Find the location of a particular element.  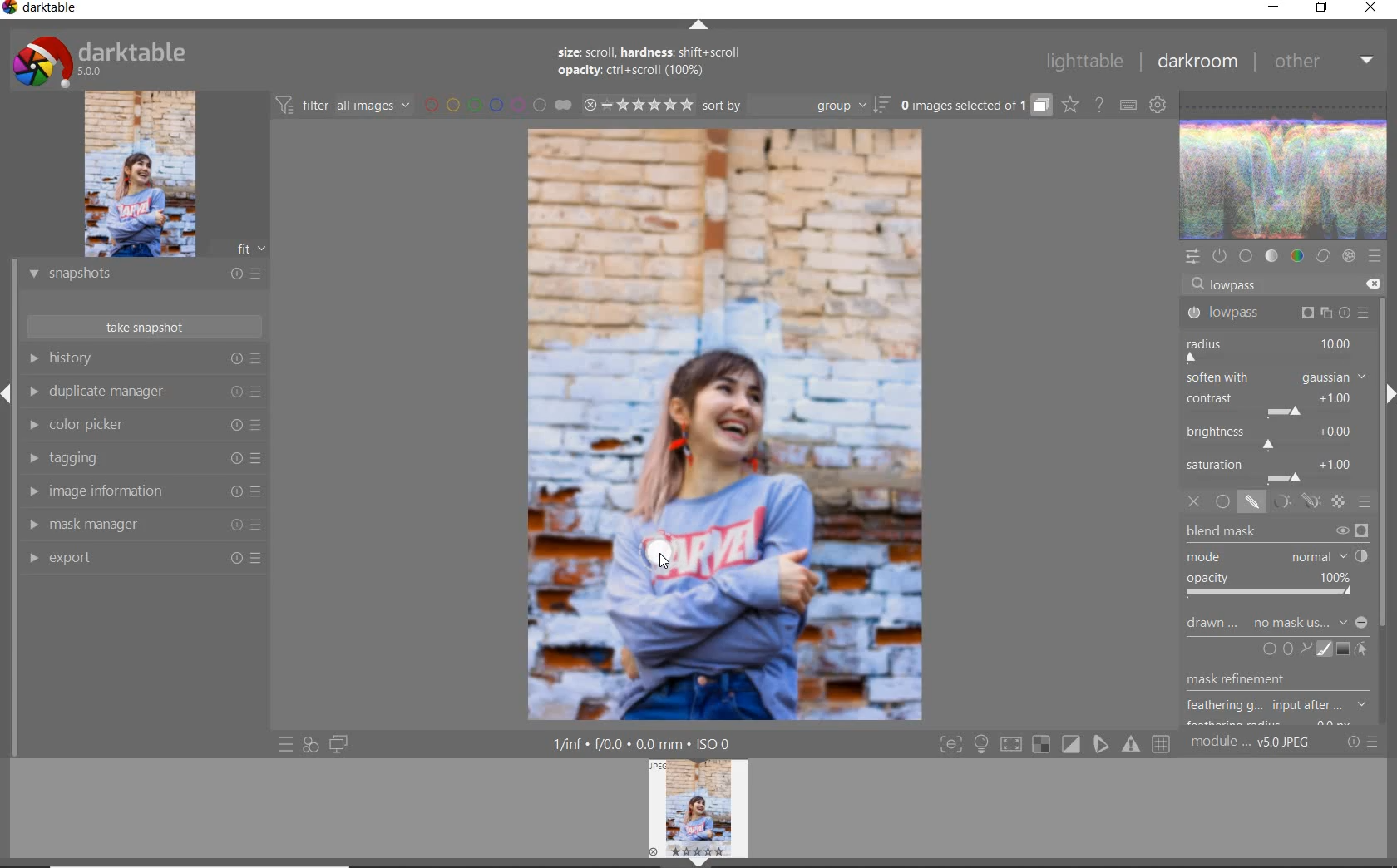

brightness is located at coordinates (1275, 436).